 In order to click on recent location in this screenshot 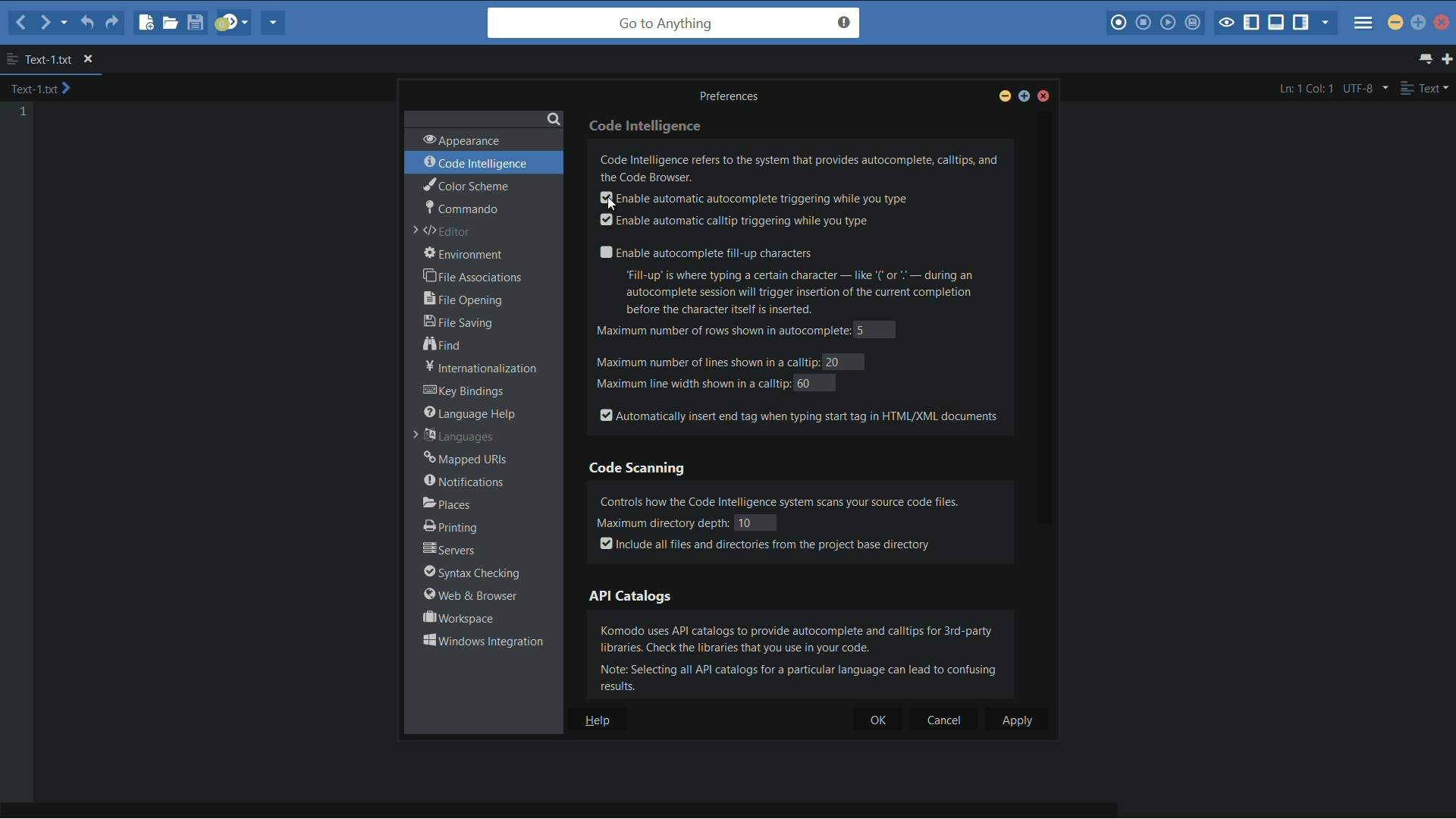, I will do `click(62, 25)`.